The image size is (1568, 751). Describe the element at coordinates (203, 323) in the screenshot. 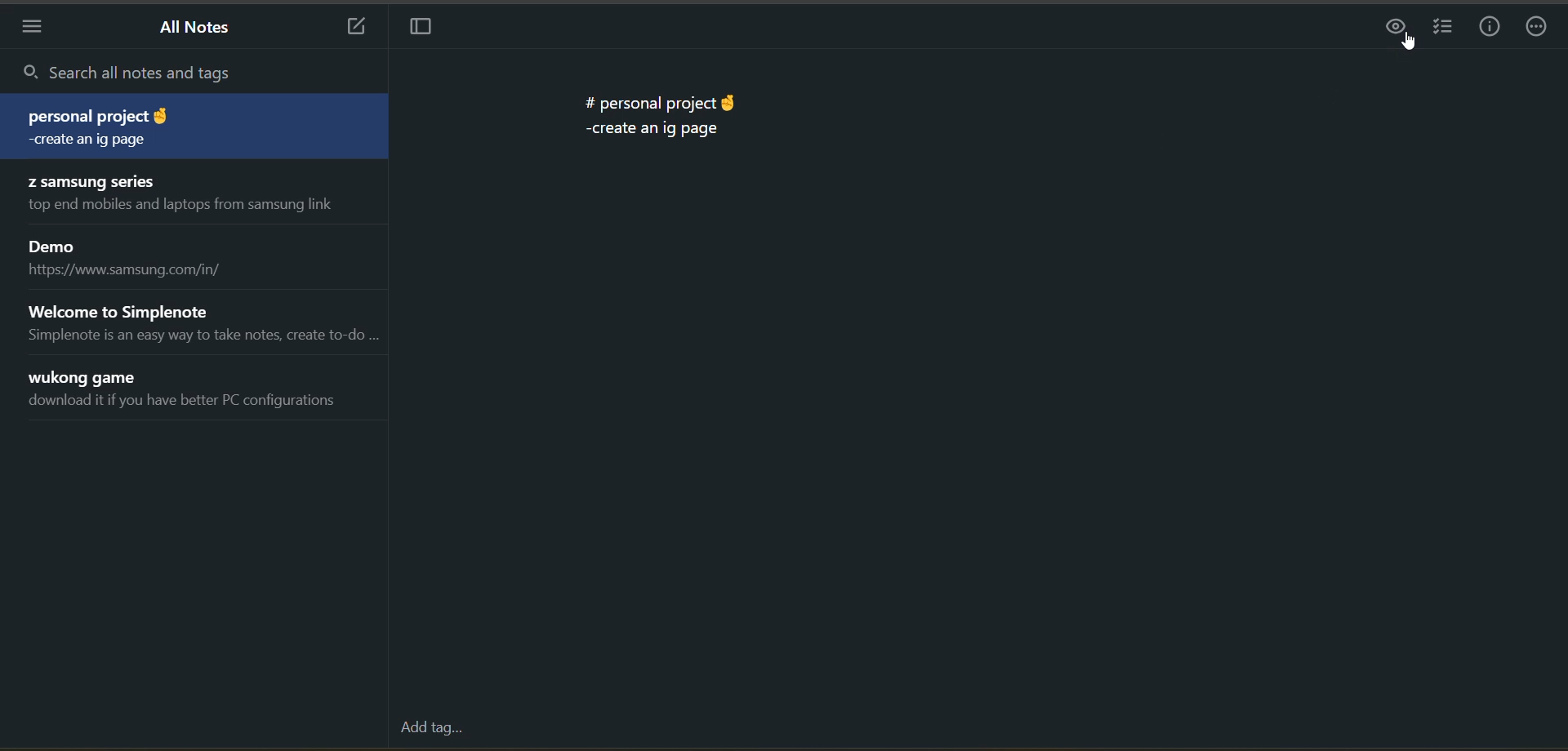

I see `note title and preview` at that location.